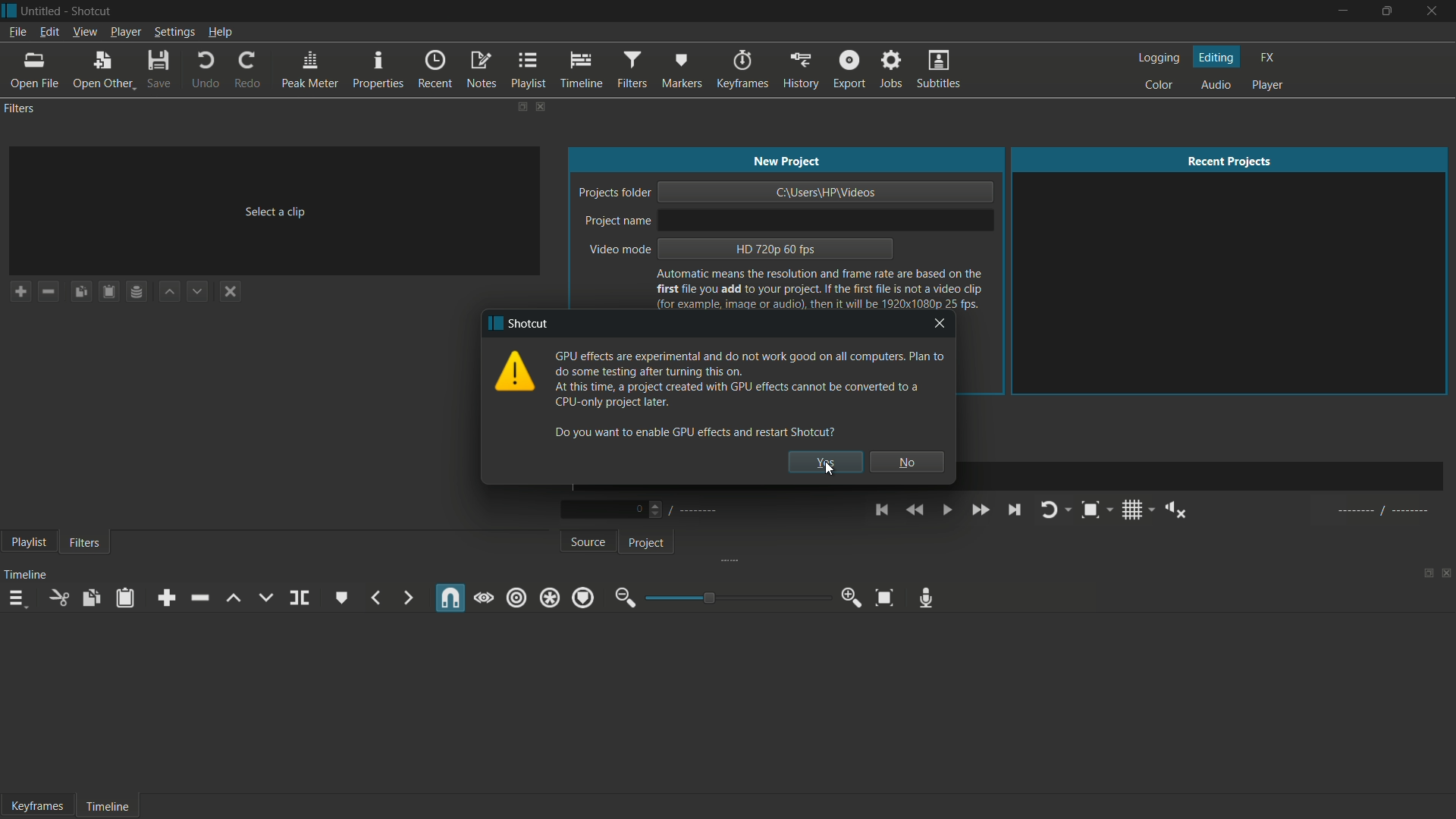 Image resolution: width=1456 pixels, height=819 pixels. Describe the element at coordinates (642, 510) in the screenshot. I see `Number` at that location.